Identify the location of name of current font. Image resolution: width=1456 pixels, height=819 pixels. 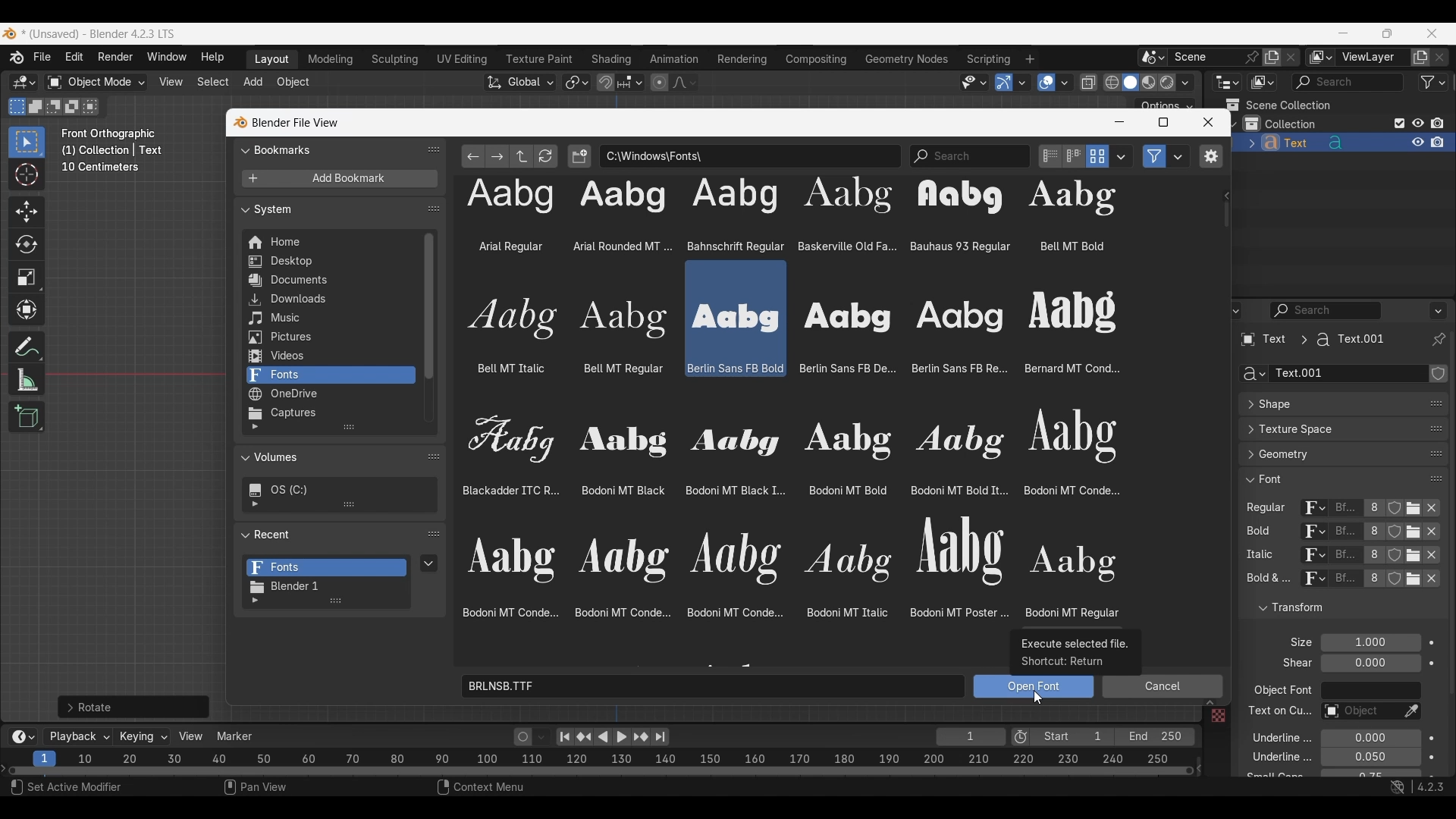
(1345, 532).